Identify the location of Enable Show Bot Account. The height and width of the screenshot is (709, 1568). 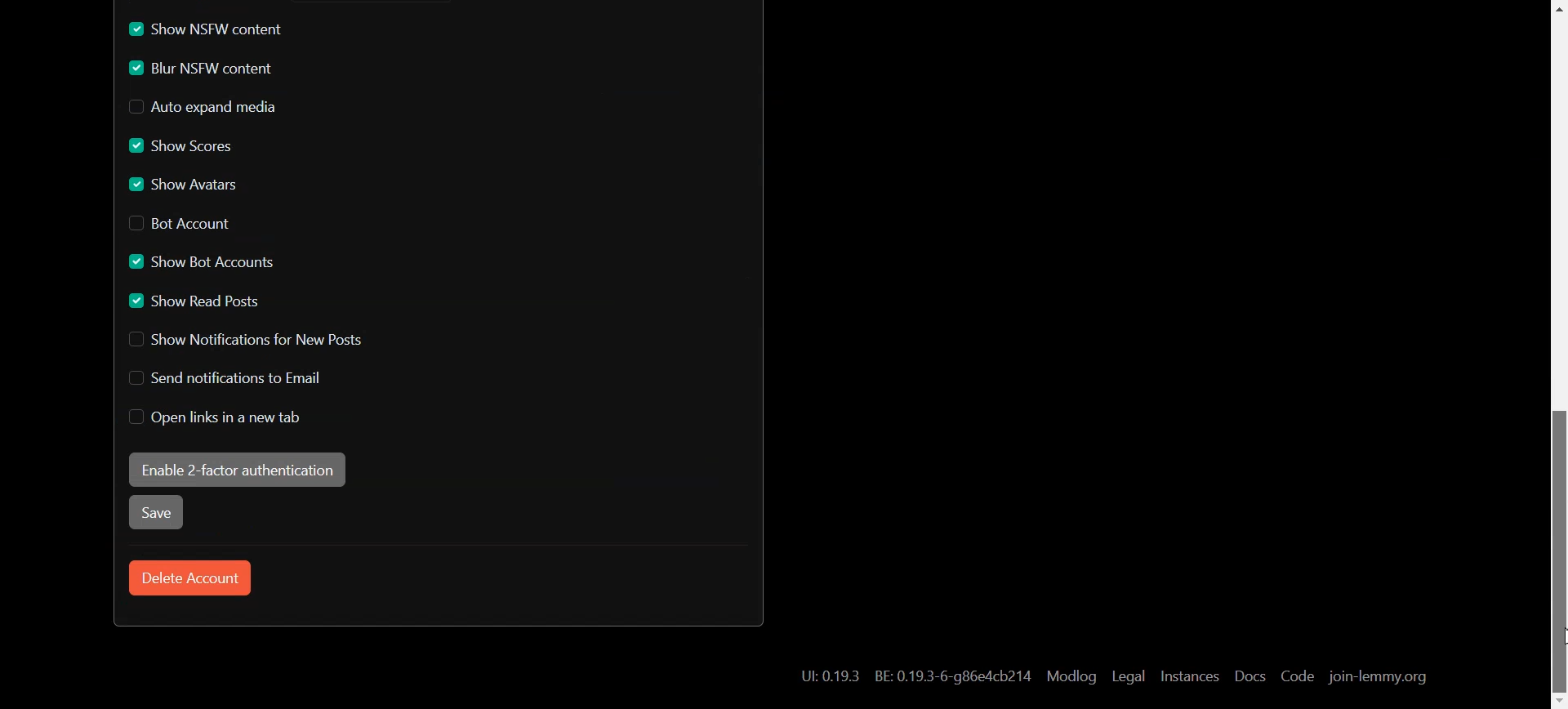
(204, 259).